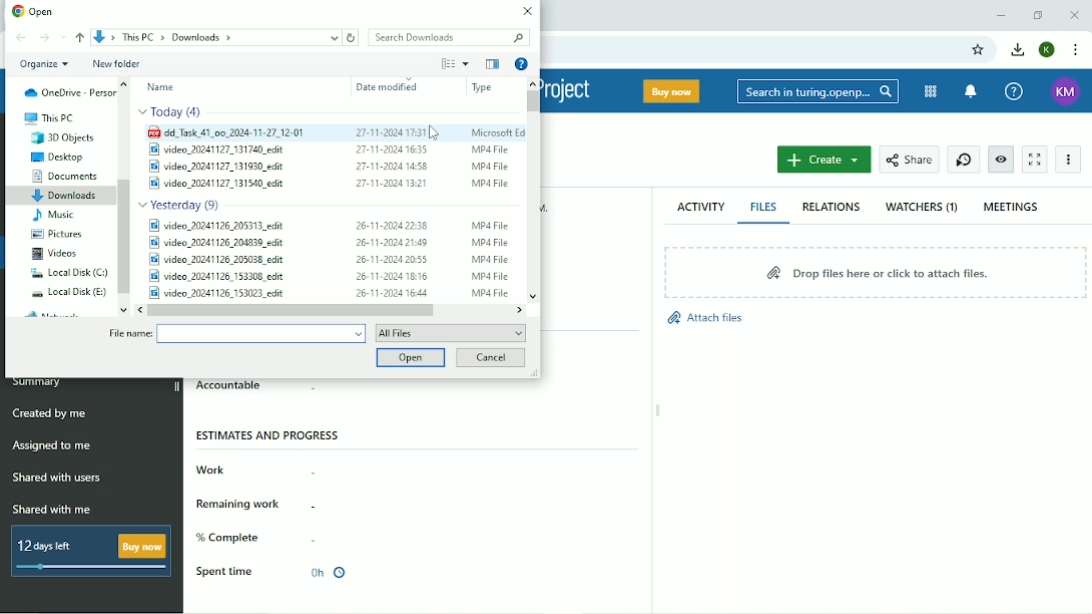 The image size is (1092, 614). Describe the element at coordinates (51, 509) in the screenshot. I see `Shared with me` at that location.